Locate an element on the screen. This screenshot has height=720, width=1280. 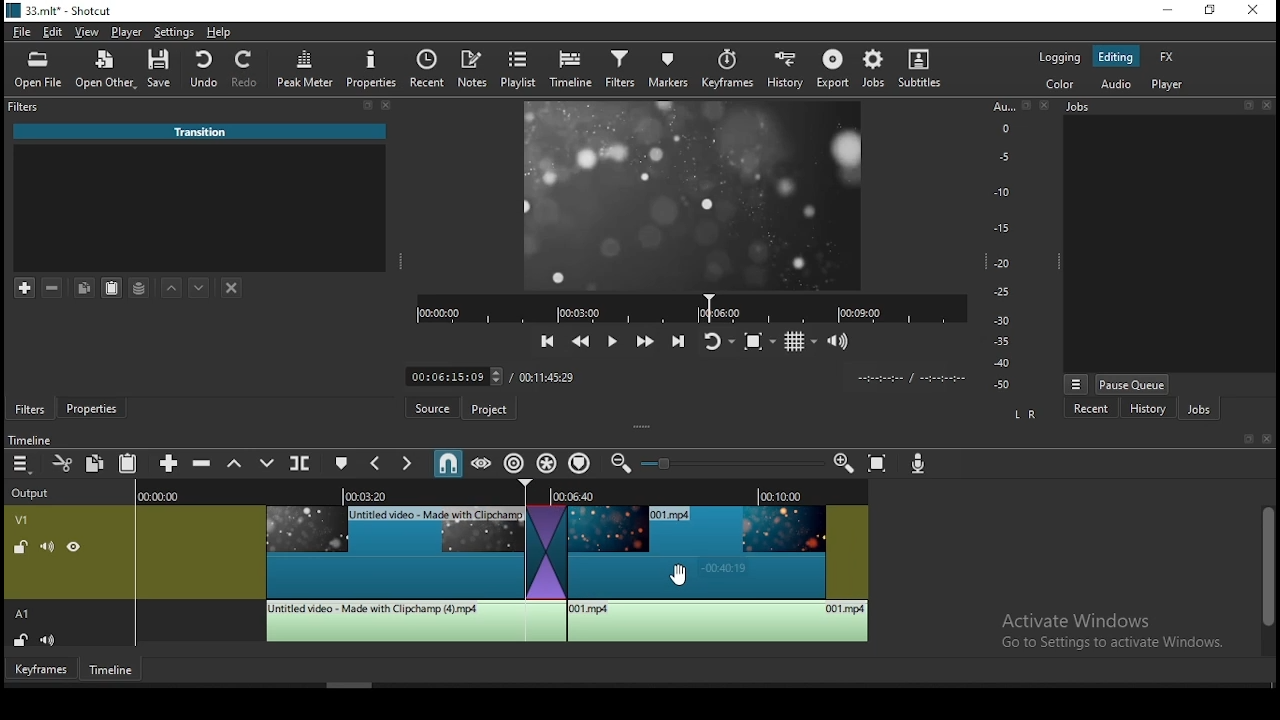
save is located at coordinates (163, 70).